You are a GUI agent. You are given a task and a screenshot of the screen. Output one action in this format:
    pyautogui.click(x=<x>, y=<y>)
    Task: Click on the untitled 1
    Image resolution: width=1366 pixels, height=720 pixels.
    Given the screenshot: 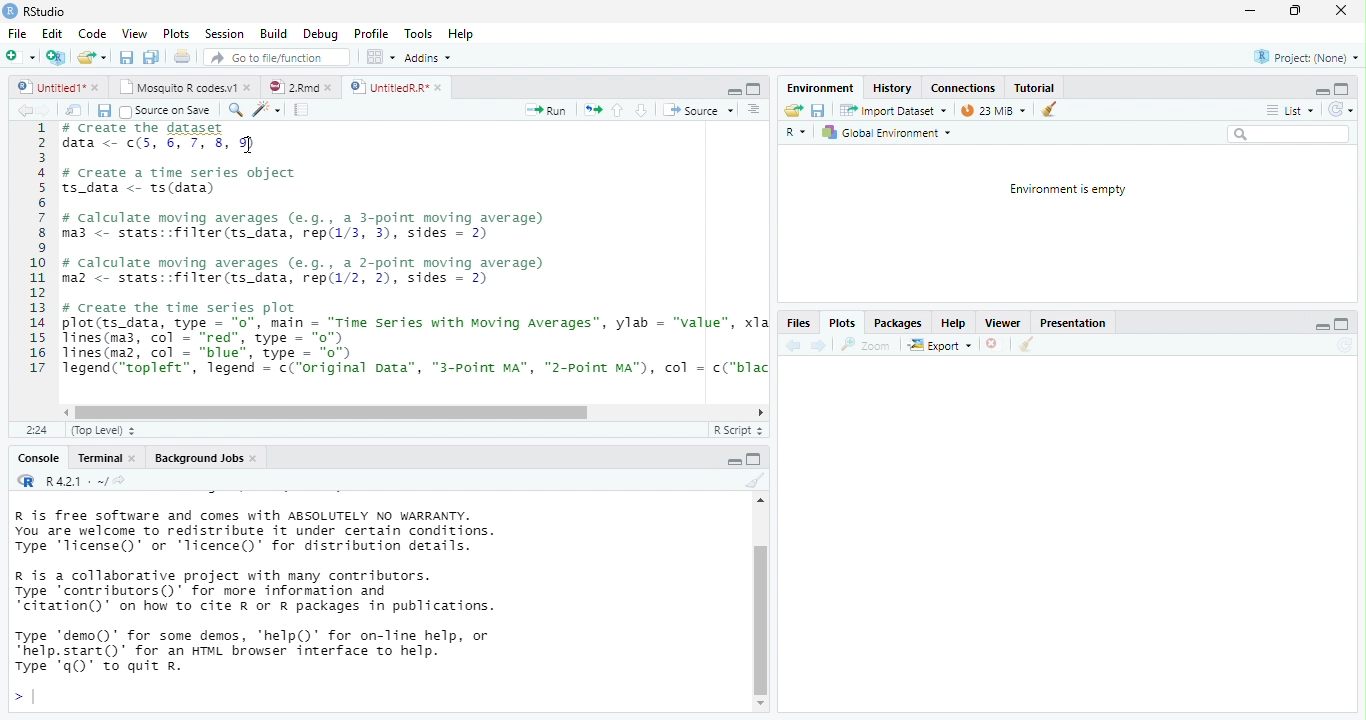 What is the action you would take?
    pyautogui.click(x=46, y=86)
    